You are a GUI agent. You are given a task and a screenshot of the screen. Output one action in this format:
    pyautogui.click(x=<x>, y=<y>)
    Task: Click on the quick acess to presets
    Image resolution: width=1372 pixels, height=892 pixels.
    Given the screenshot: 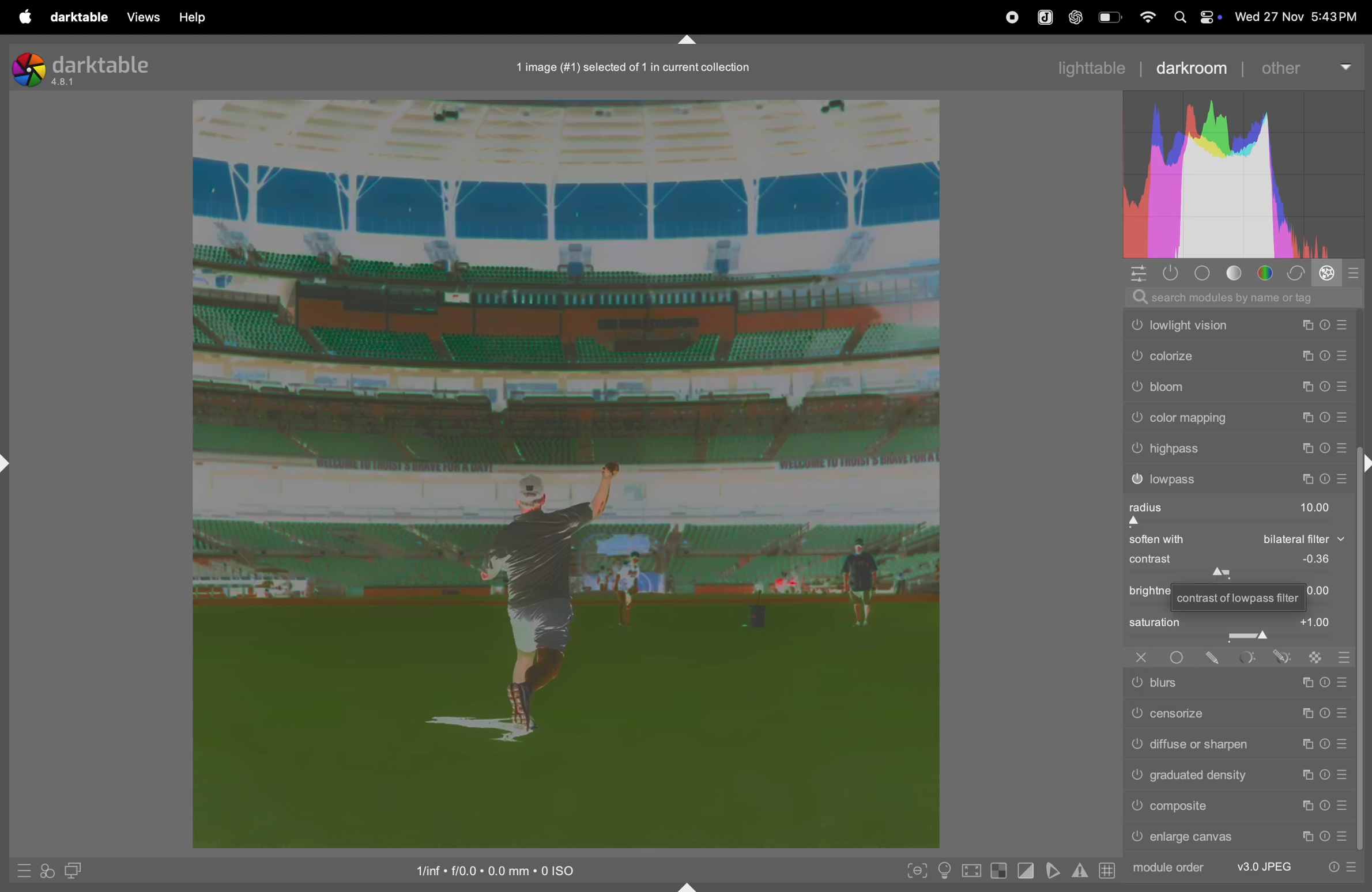 What is the action you would take?
    pyautogui.click(x=19, y=870)
    